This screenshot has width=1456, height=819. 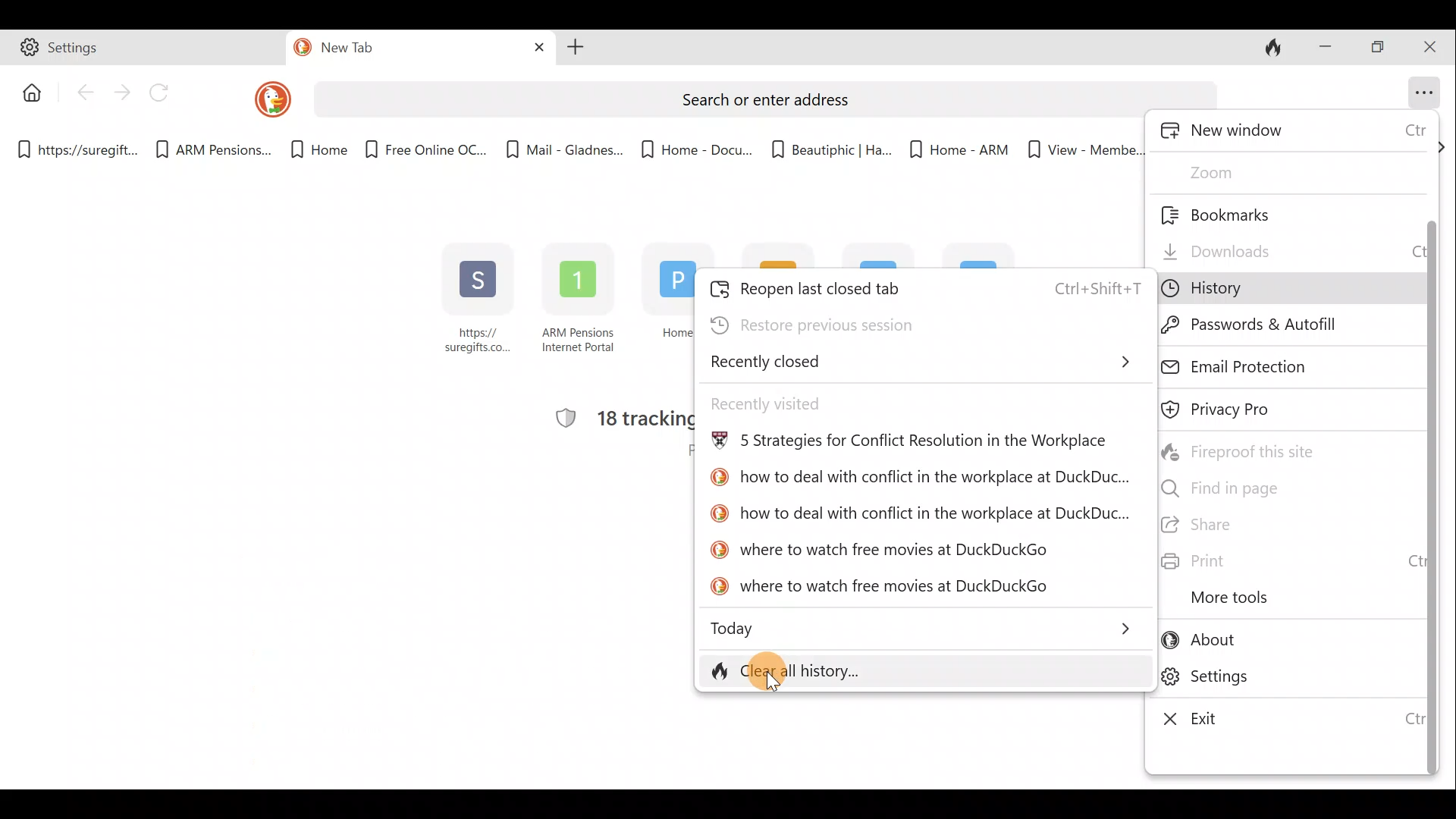 What do you see at coordinates (209, 150) in the screenshot?
I see `ARM Pensions.` at bounding box center [209, 150].